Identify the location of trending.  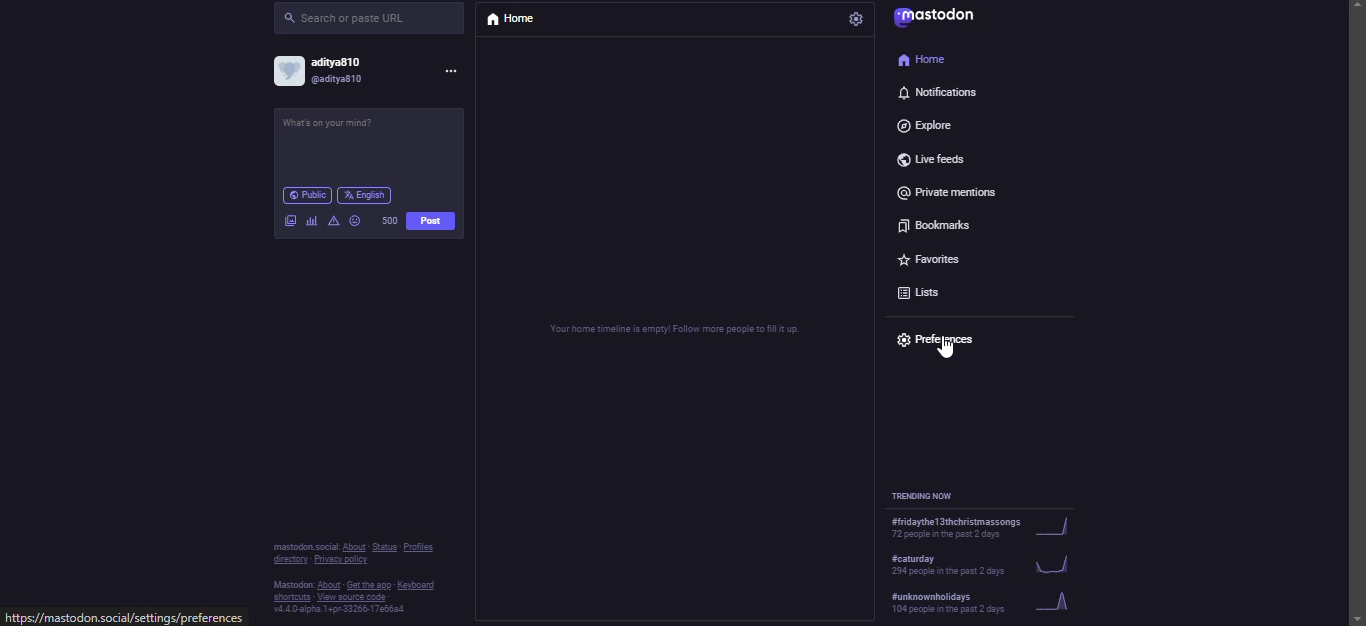
(987, 529).